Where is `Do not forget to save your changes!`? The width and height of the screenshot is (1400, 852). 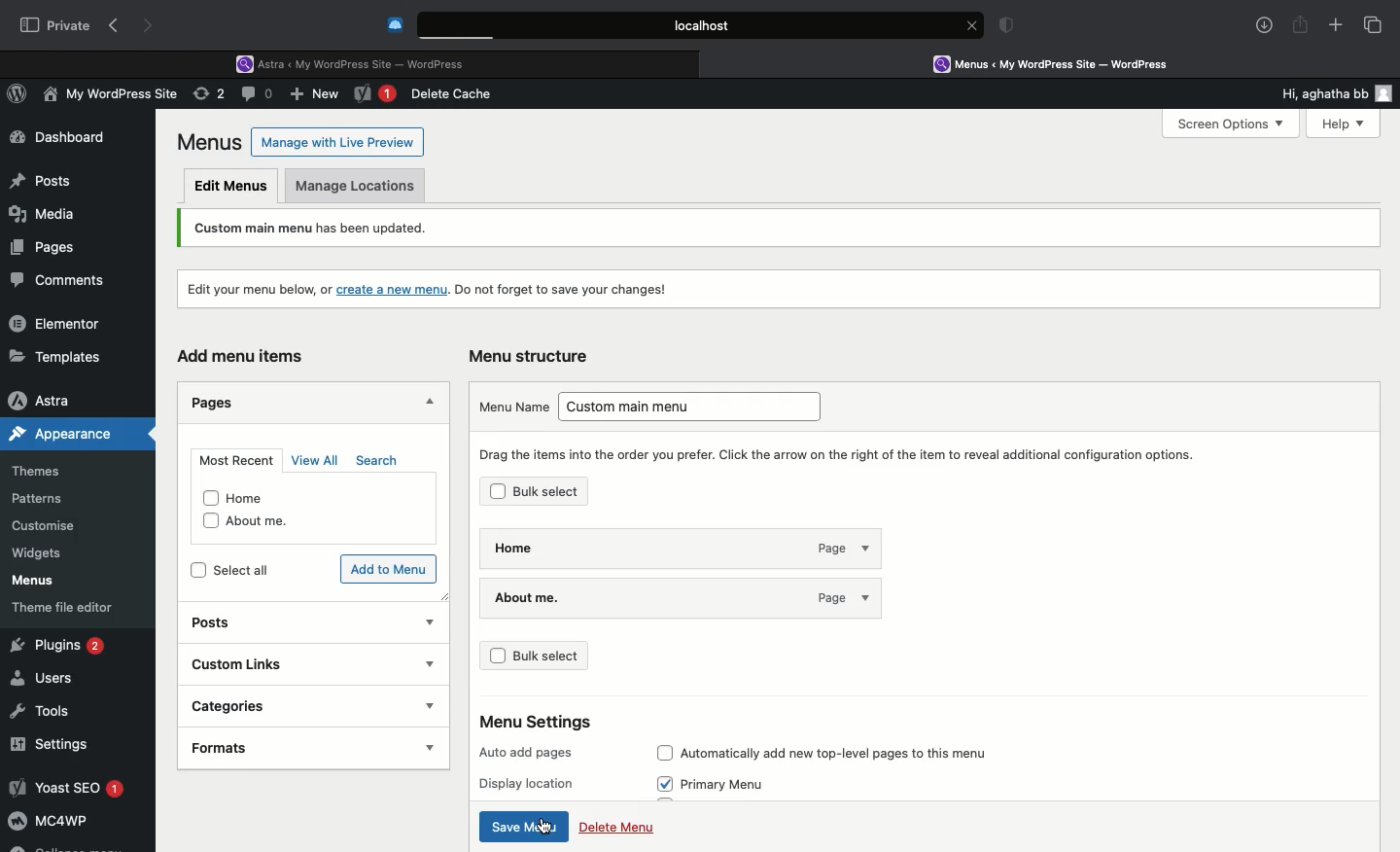
Do not forget to save your changes! is located at coordinates (567, 285).